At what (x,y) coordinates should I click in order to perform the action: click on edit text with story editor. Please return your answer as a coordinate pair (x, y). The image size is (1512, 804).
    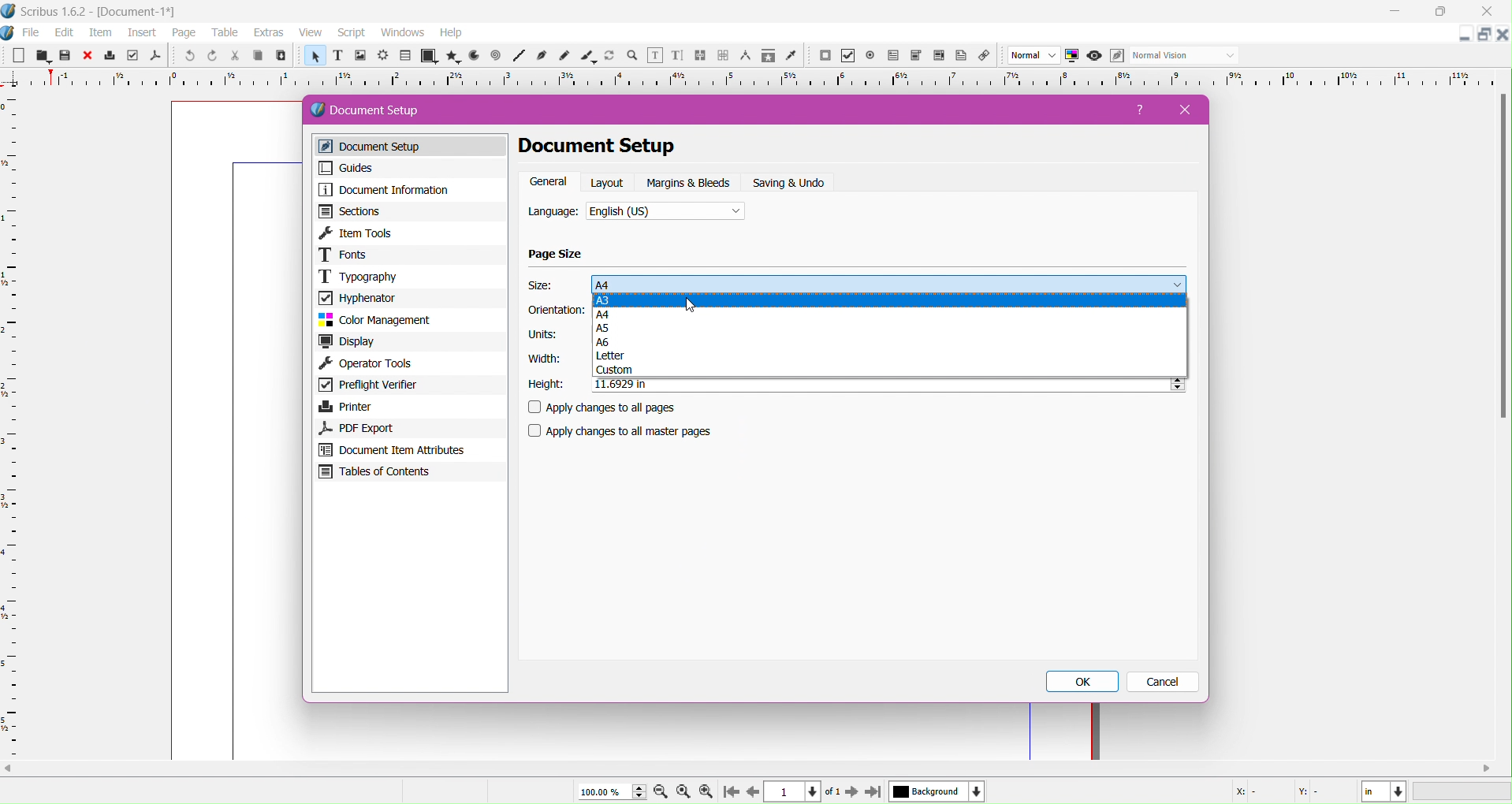
    Looking at the image, I should click on (677, 57).